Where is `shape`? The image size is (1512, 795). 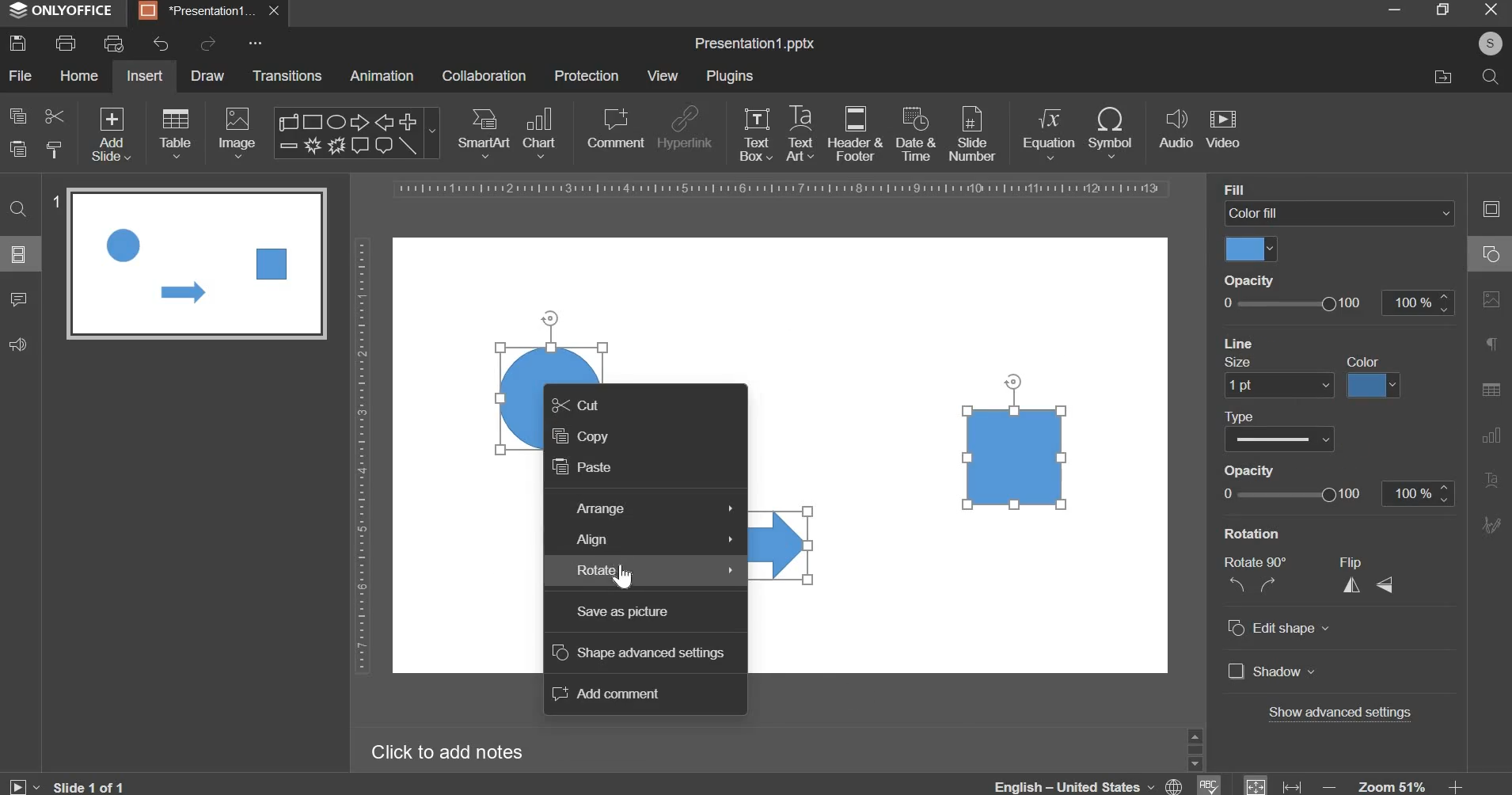
shape is located at coordinates (355, 133).